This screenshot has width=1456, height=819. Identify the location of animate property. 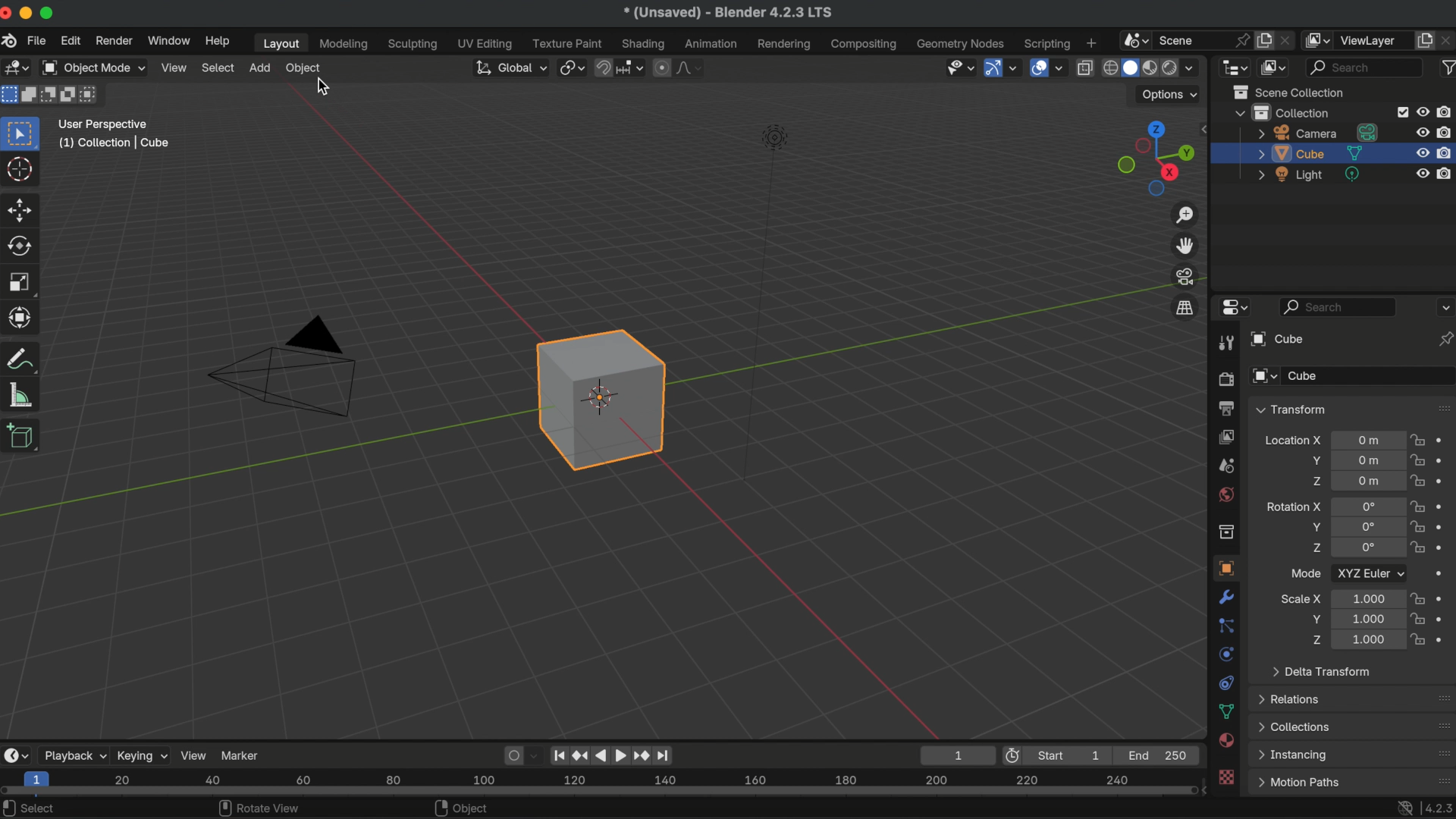
(1444, 638).